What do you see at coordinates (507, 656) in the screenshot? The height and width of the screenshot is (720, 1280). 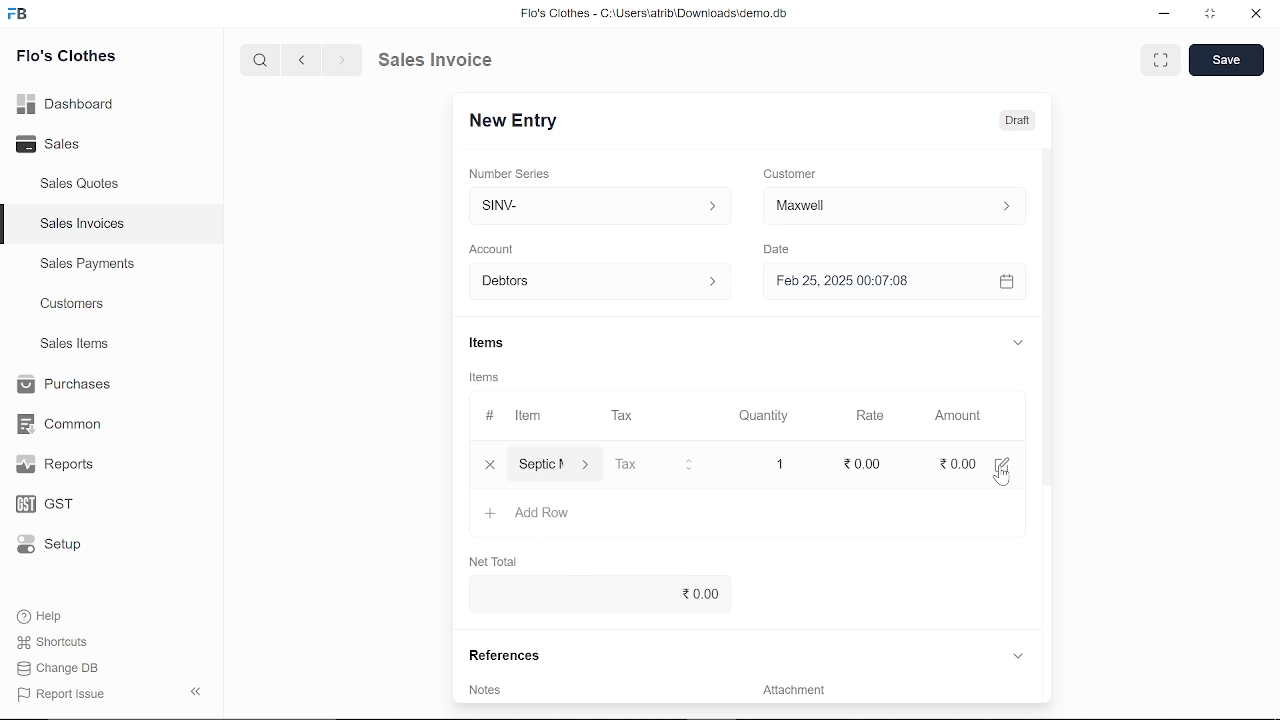 I see `References.` at bounding box center [507, 656].